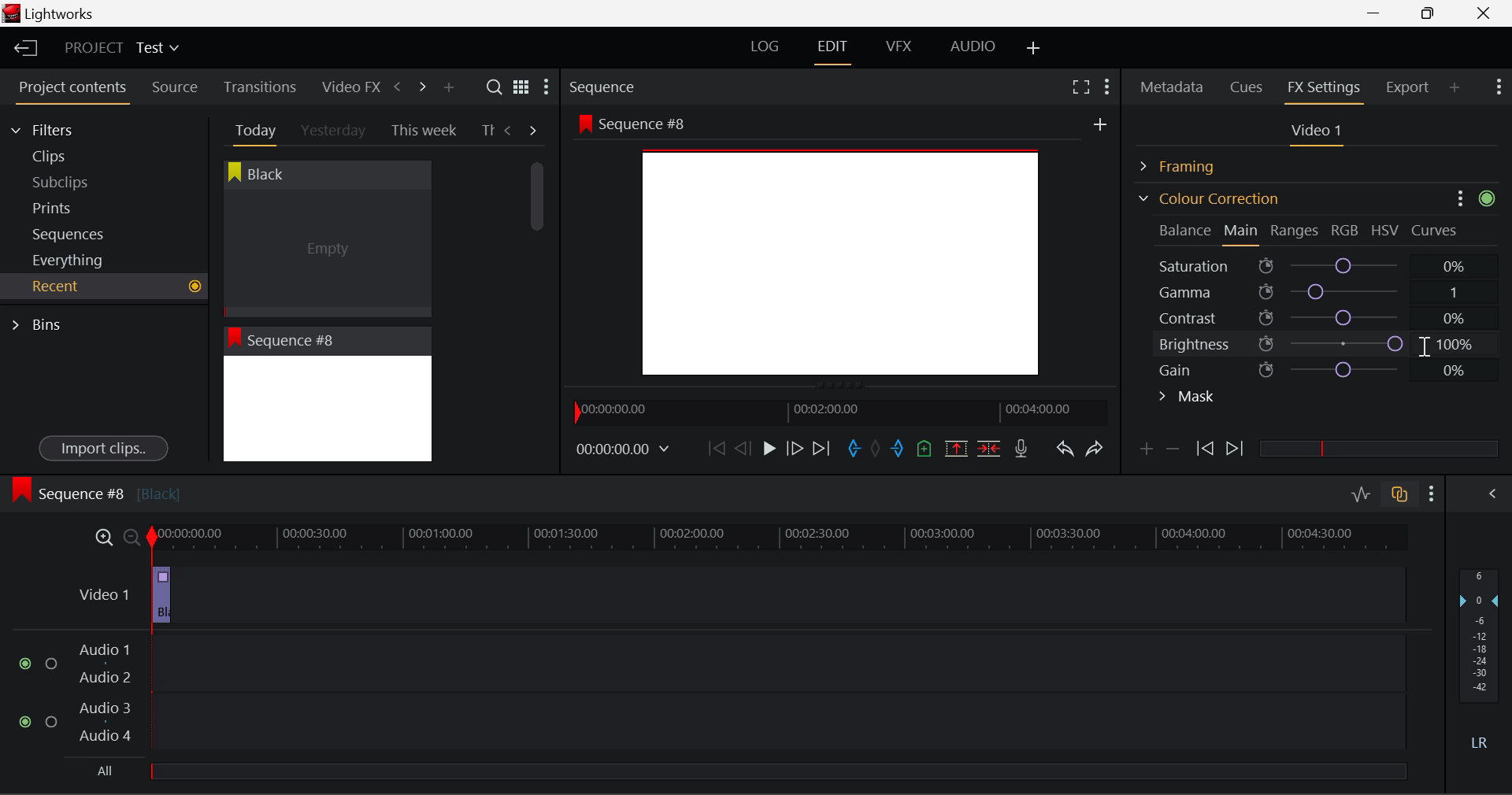 This screenshot has height=795, width=1512. I want to click on Full Screen, so click(1080, 86).